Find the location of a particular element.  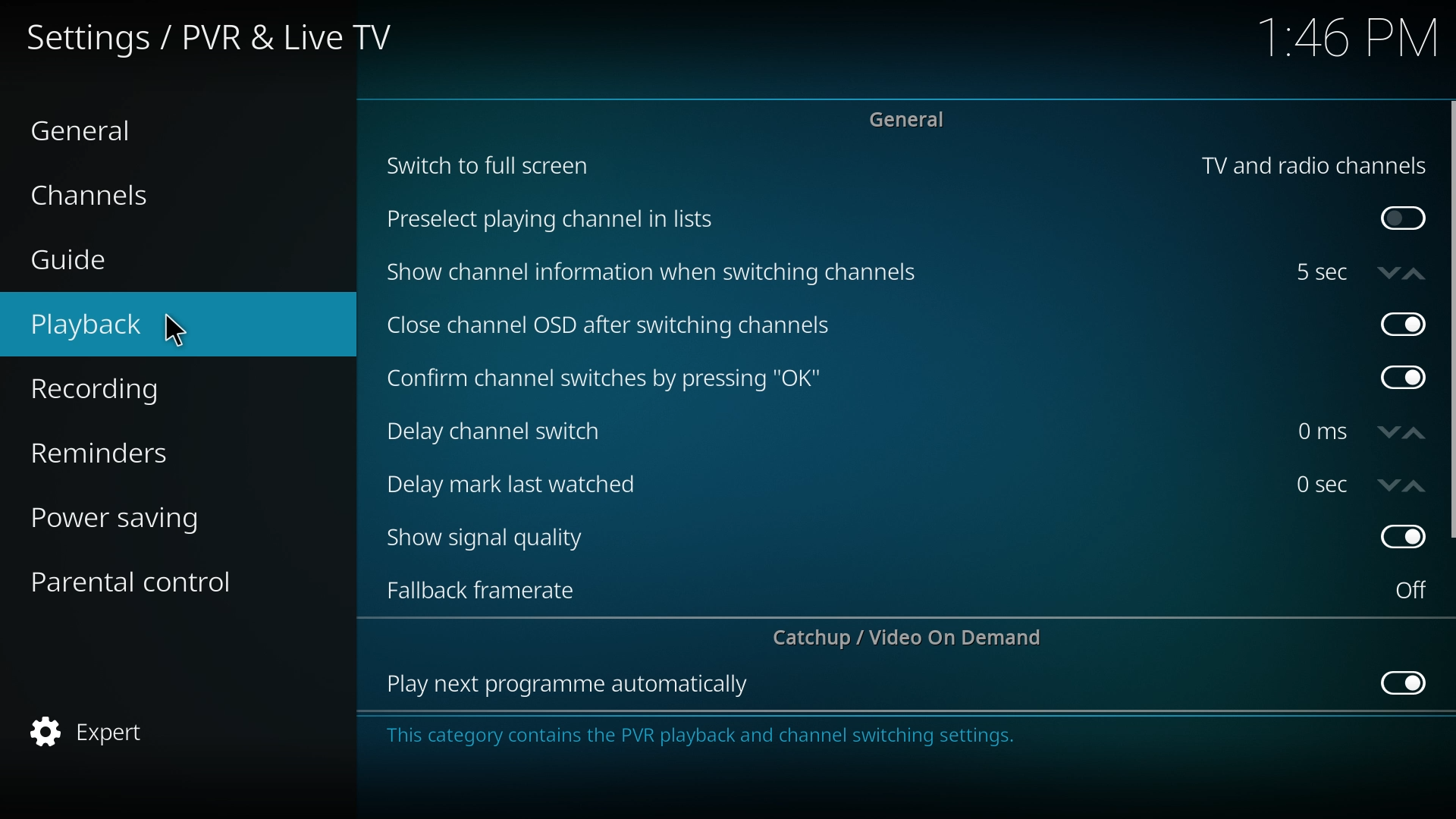

time is located at coordinates (1322, 484).